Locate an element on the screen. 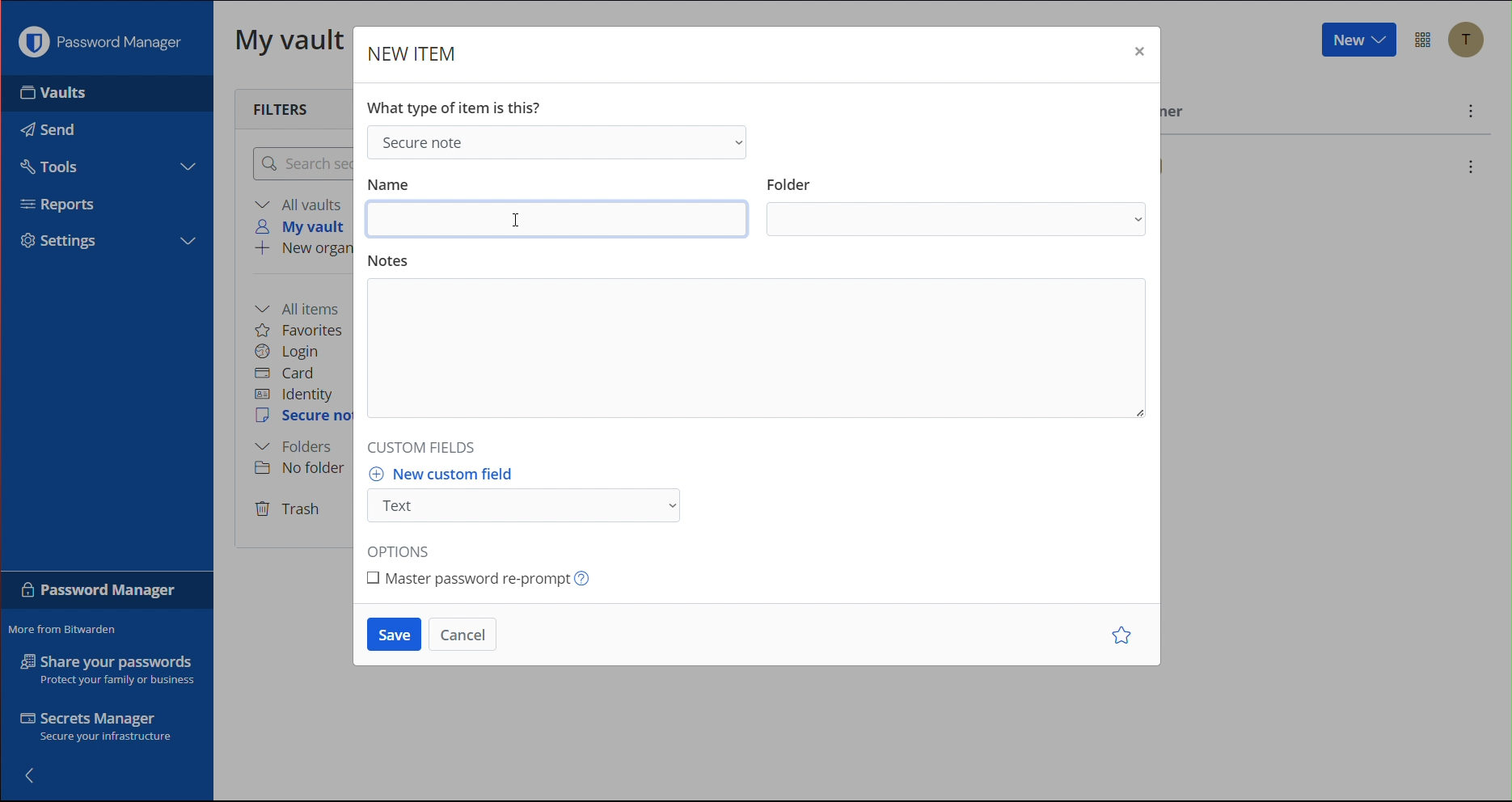  Secure note is located at coordinates (555, 141).